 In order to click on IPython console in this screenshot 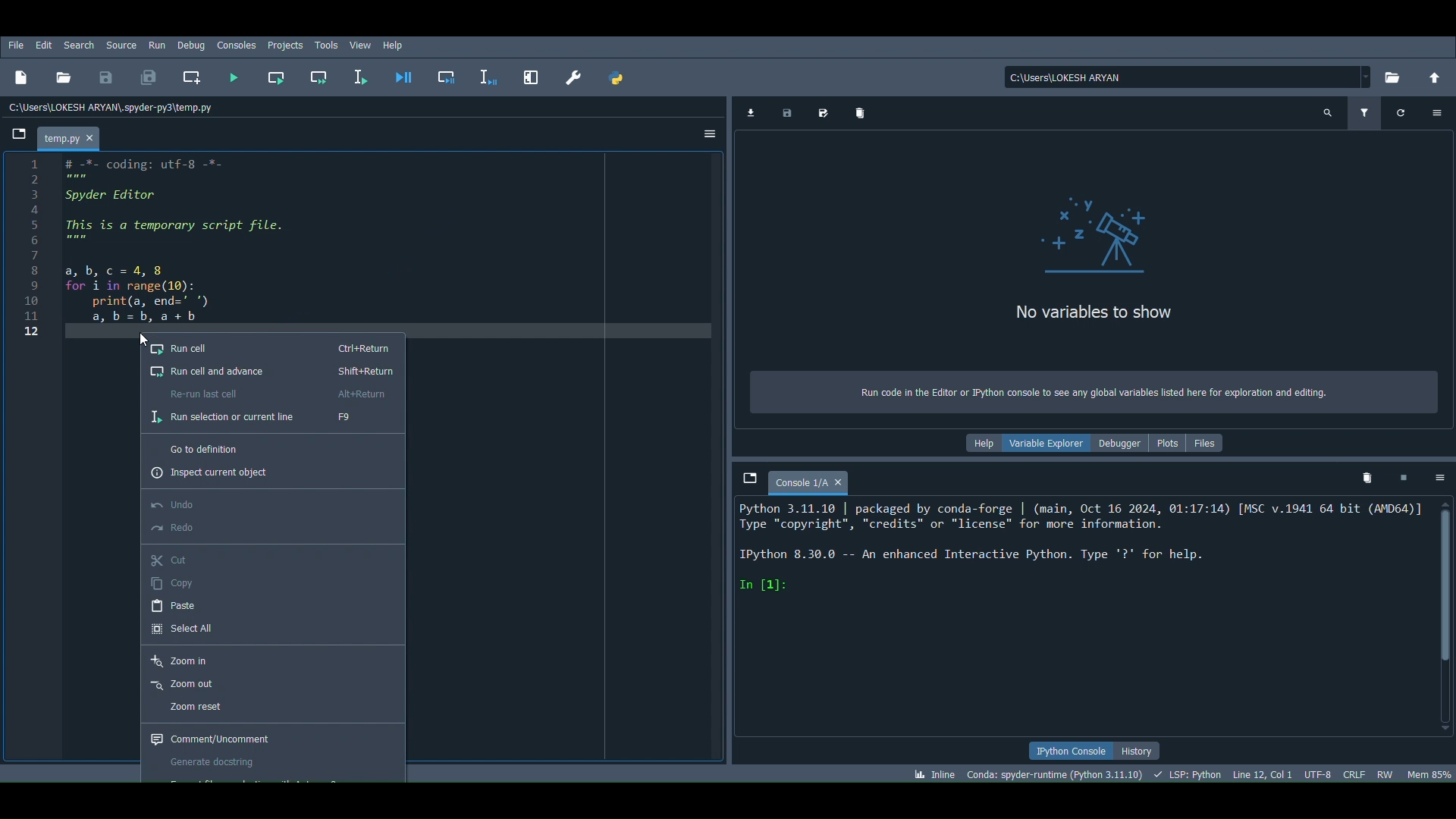, I will do `click(1068, 748)`.